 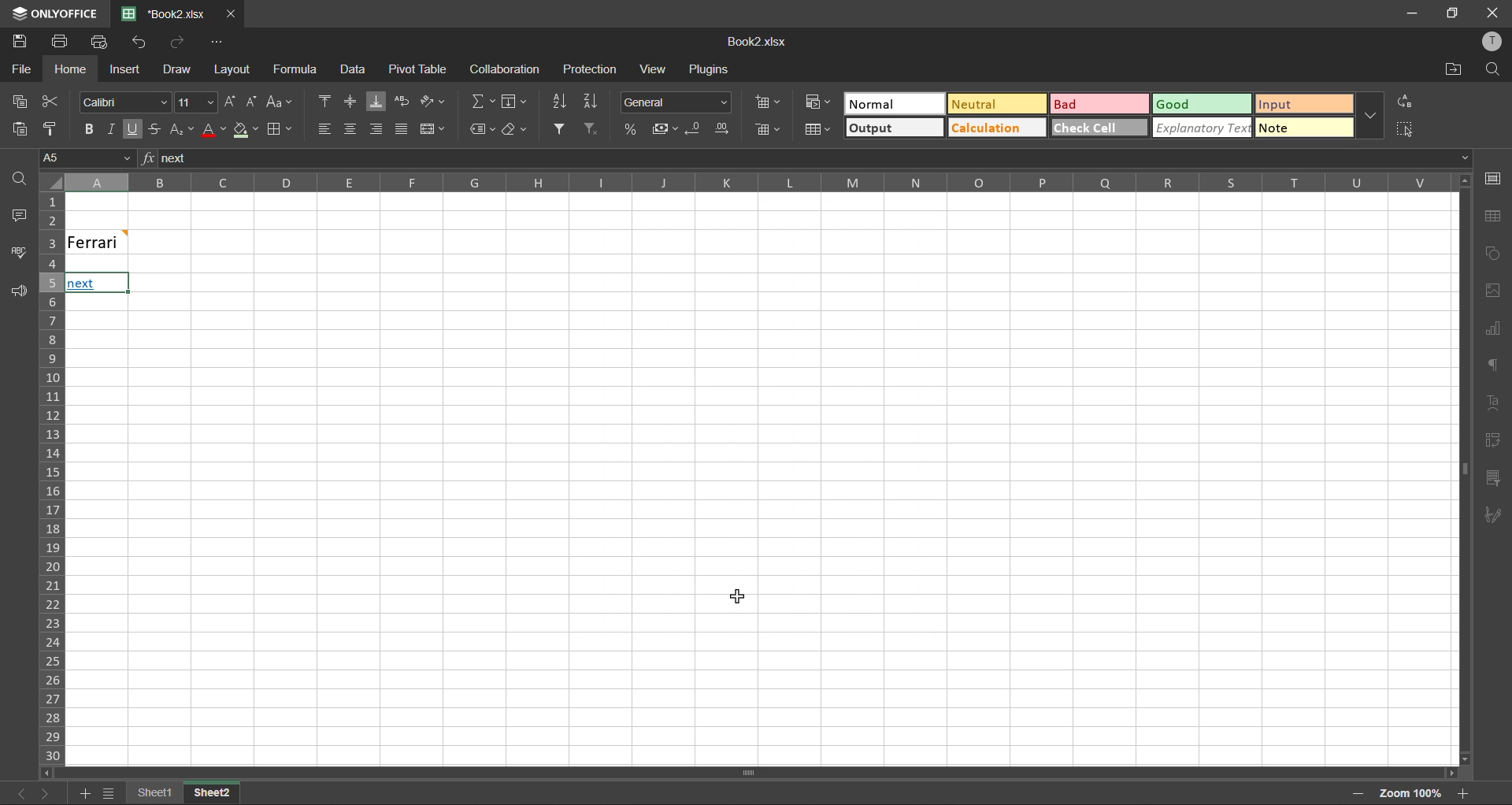 I want to click on Horizontal Scrollbar, so click(x=1457, y=469).